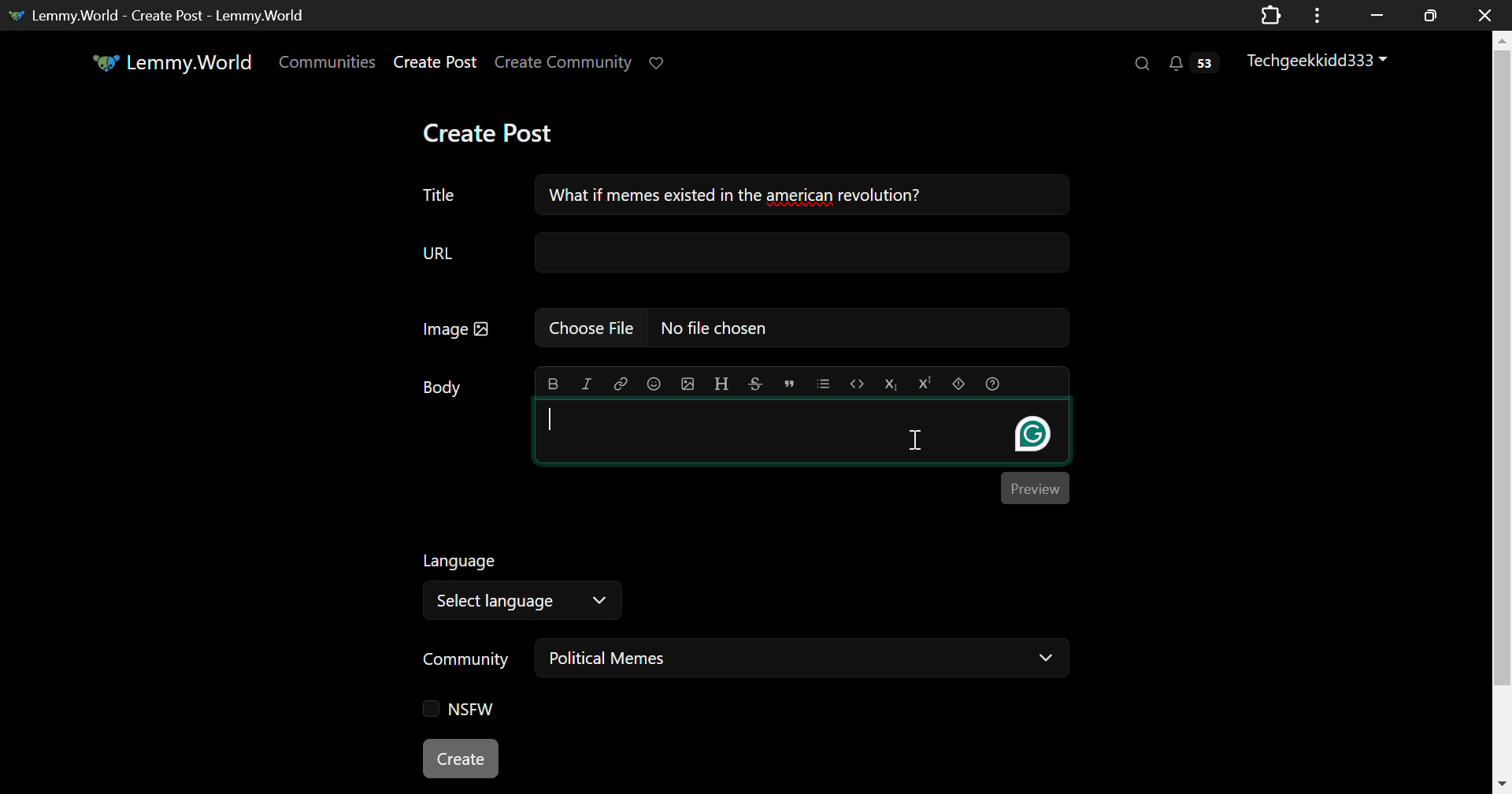 The width and height of the screenshot is (1512, 794). I want to click on Header, so click(722, 384).